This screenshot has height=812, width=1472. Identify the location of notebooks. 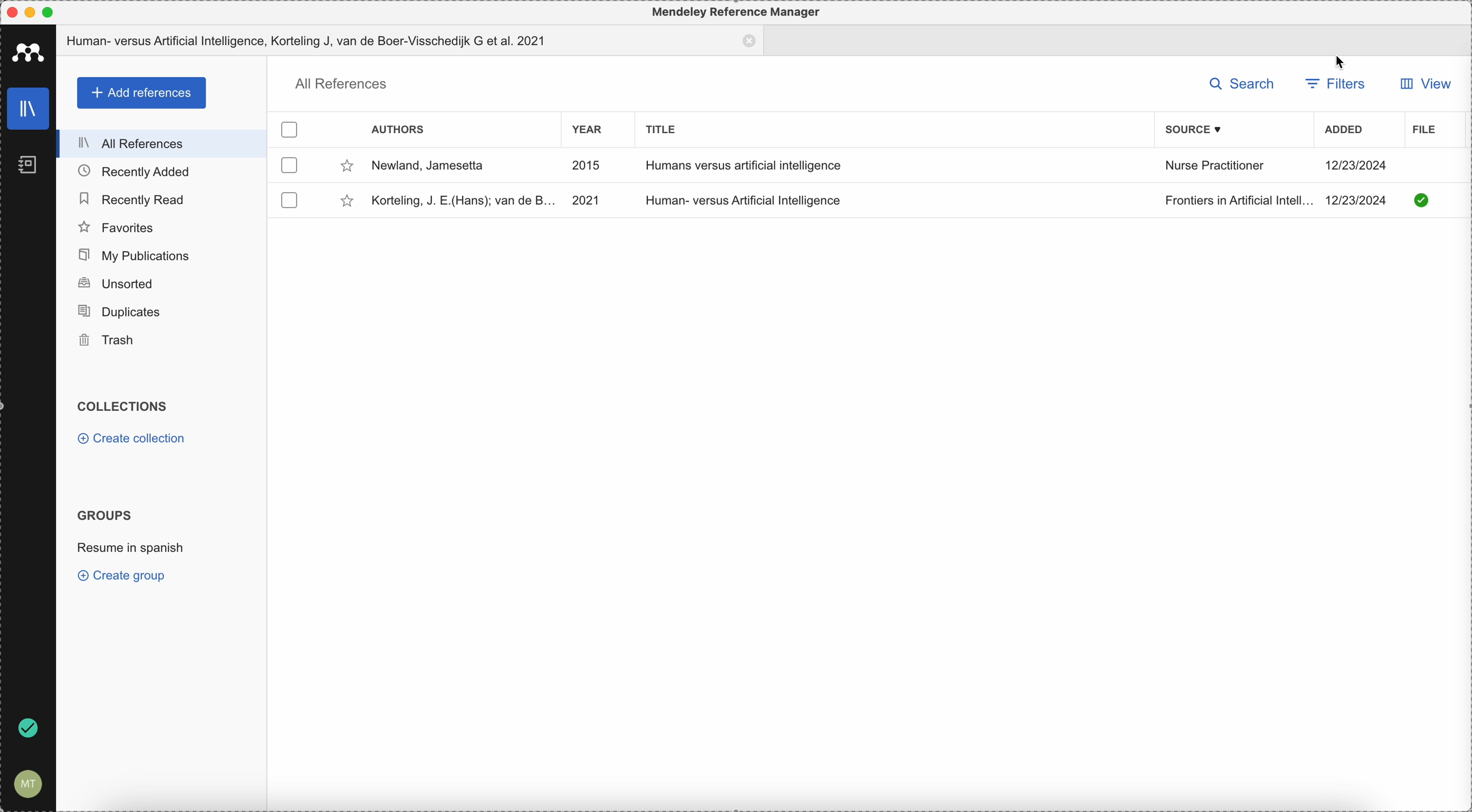
(24, 162).